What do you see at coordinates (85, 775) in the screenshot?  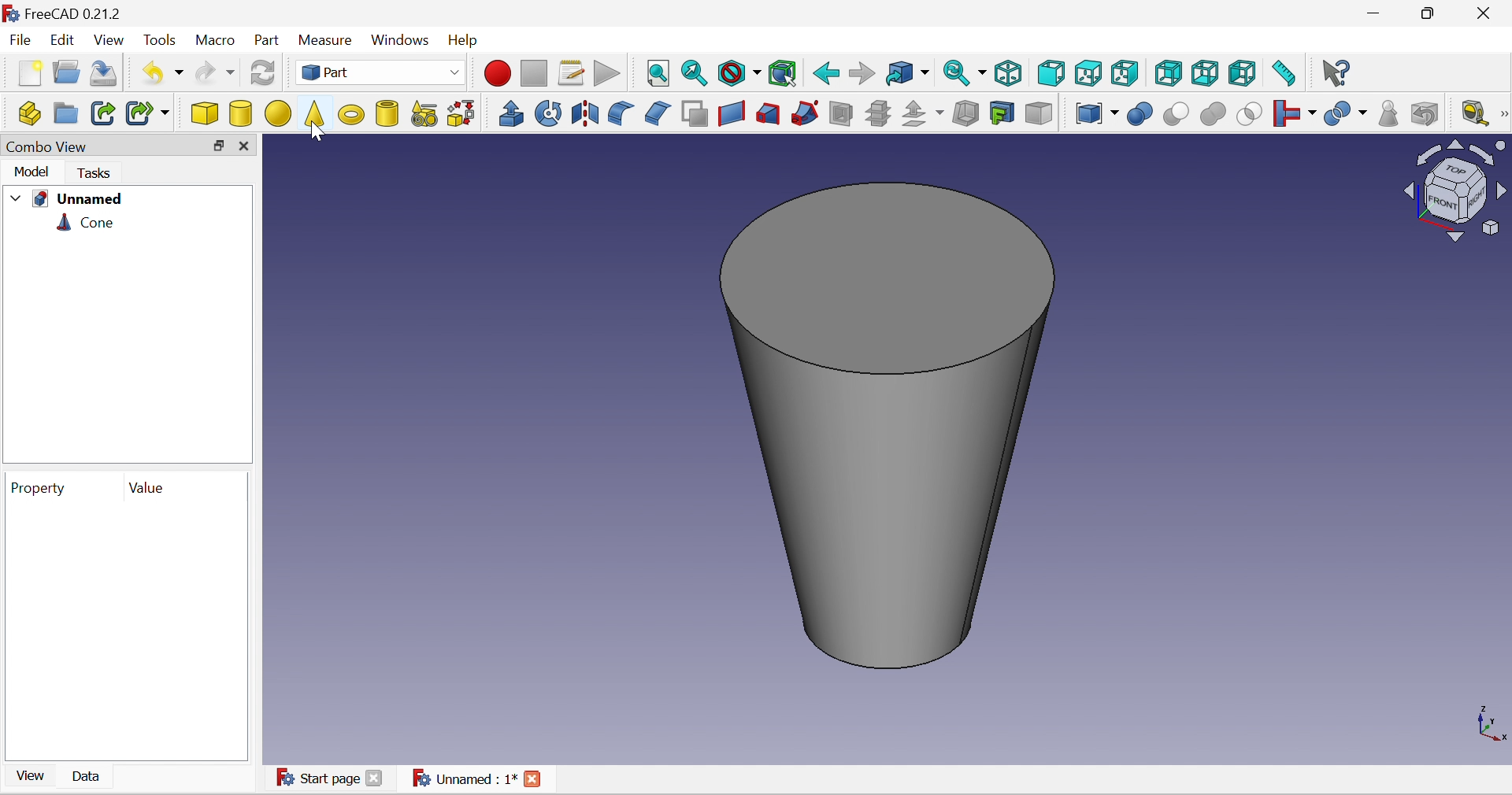 I see `Data` at bounding box center [85, 775].